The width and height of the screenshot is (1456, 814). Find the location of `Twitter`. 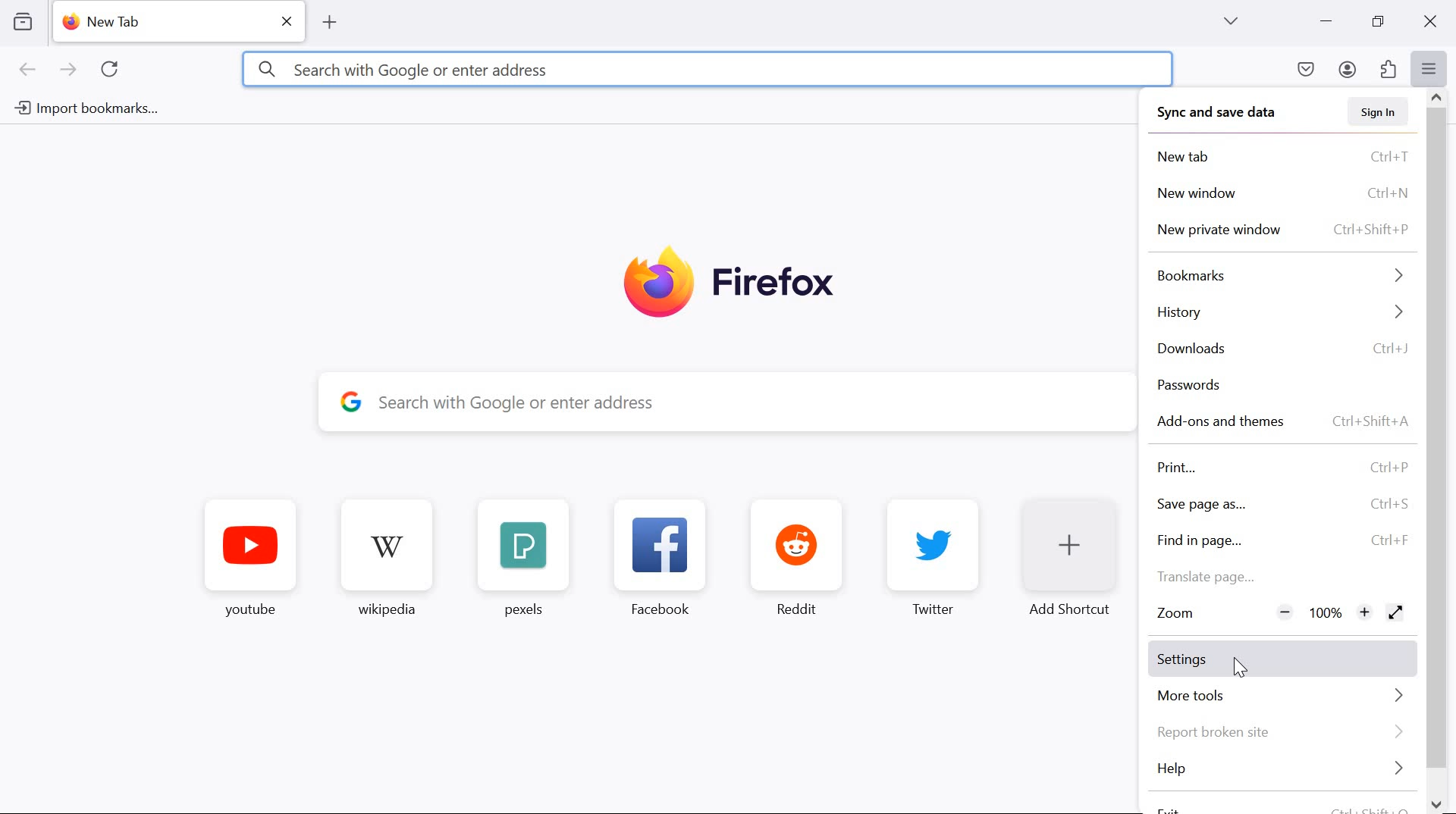

Twitter is located at coordinates (937, 555).